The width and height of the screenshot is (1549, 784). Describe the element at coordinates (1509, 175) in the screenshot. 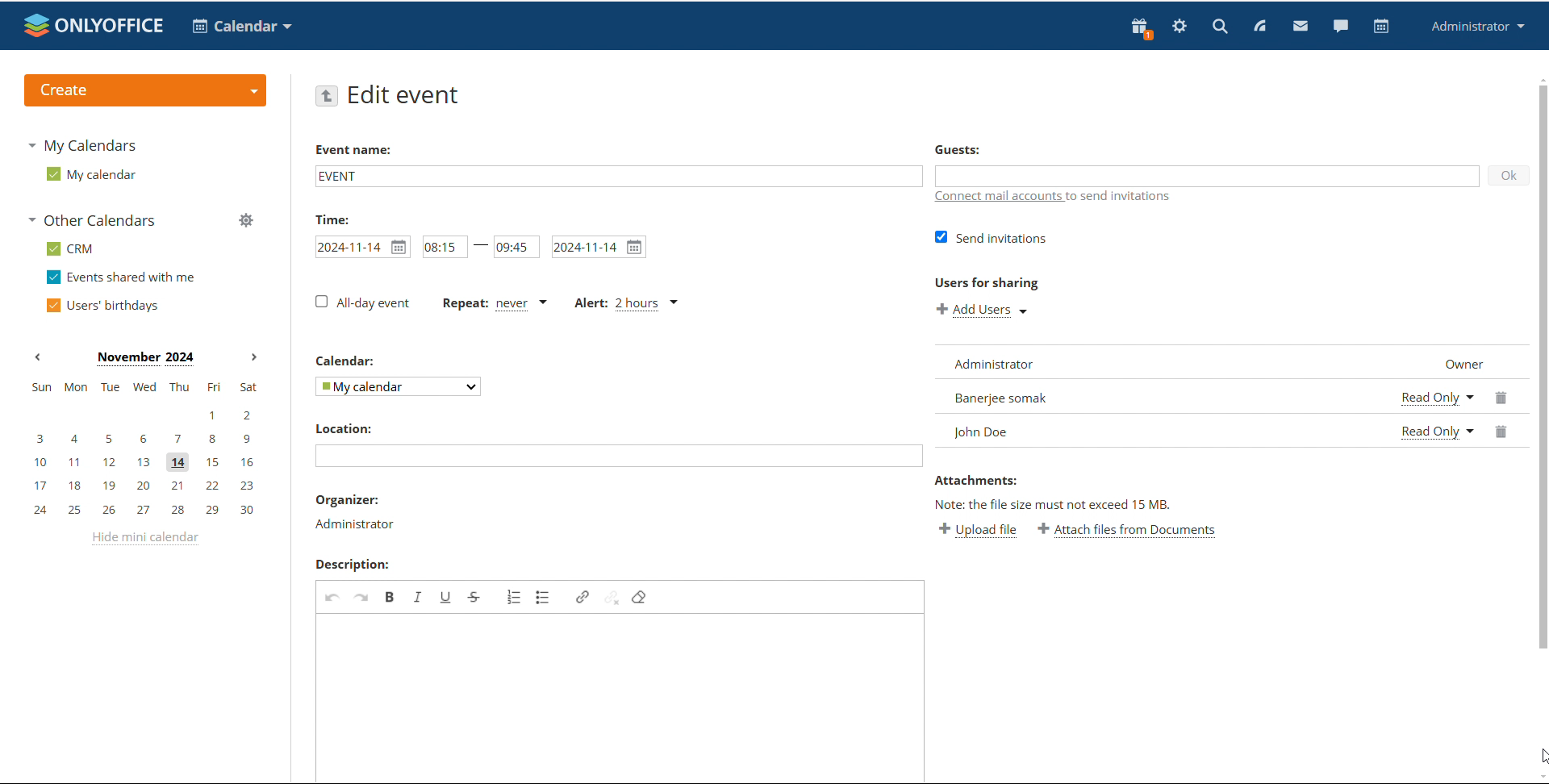

I see `ok` at that location.